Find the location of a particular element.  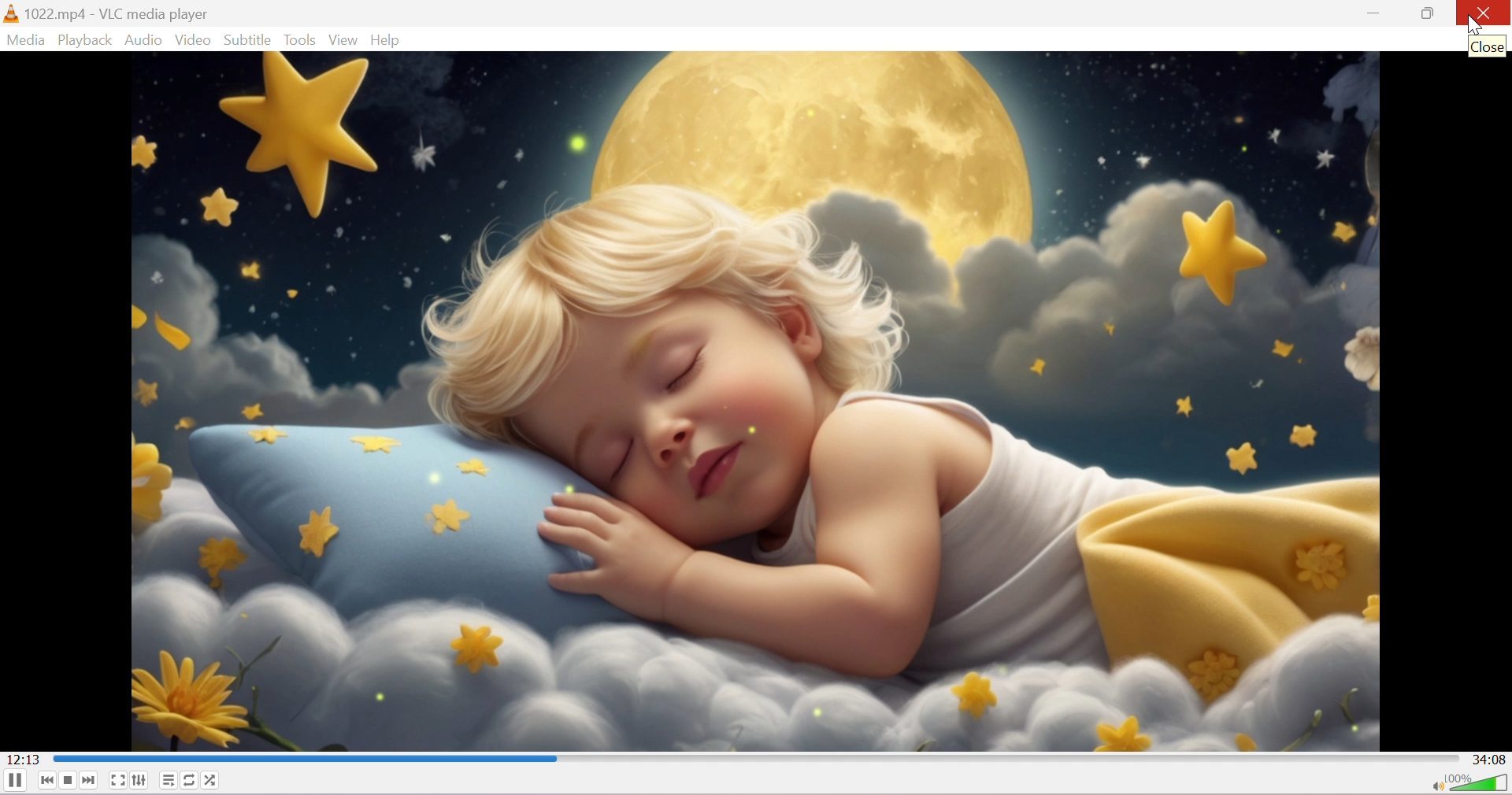

Video is located at coordinates (194, 41).